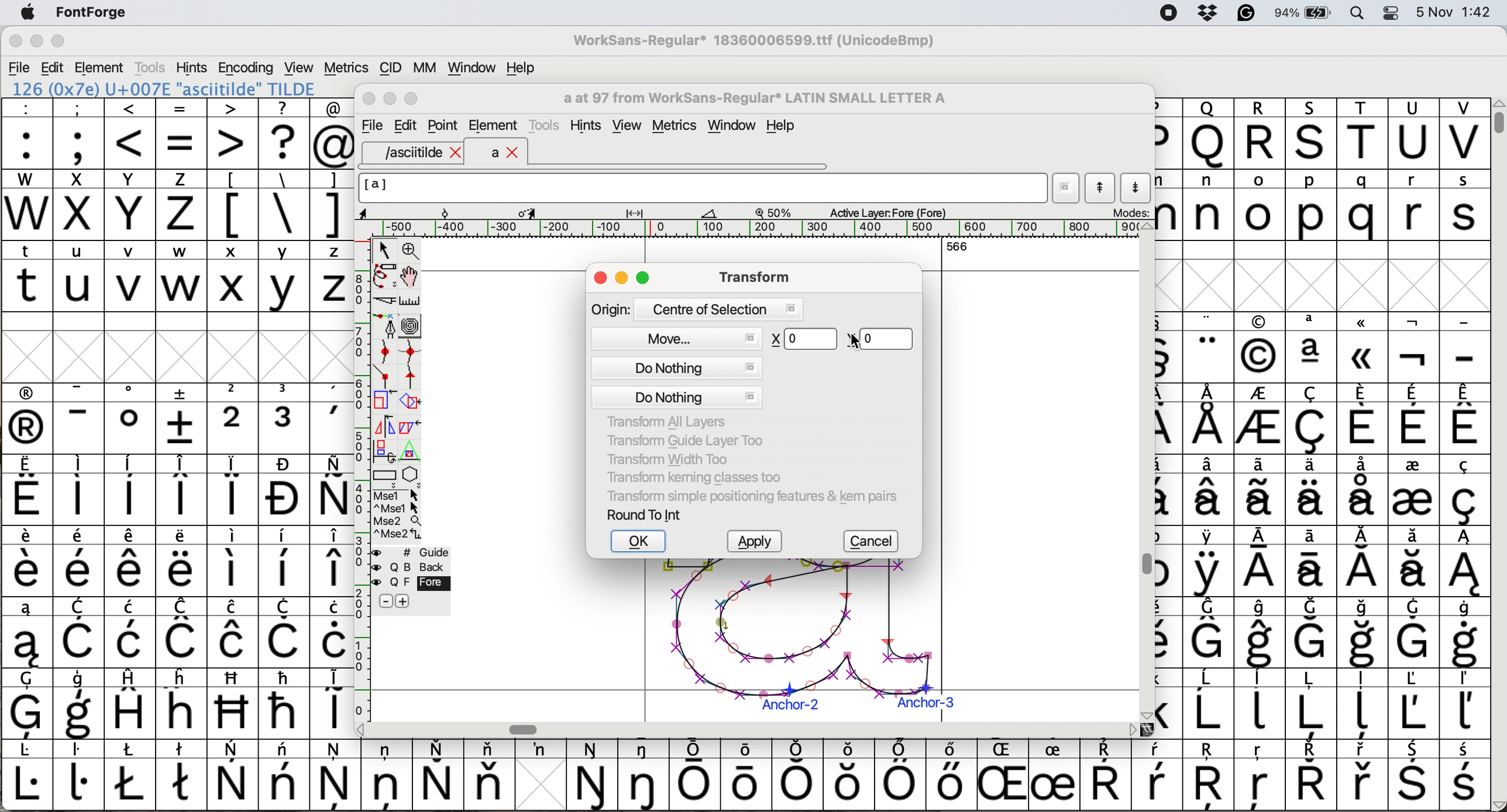 The width and height of the screenshot is (1507, 812). I want to click on xy coordinate, so click(841, 338).